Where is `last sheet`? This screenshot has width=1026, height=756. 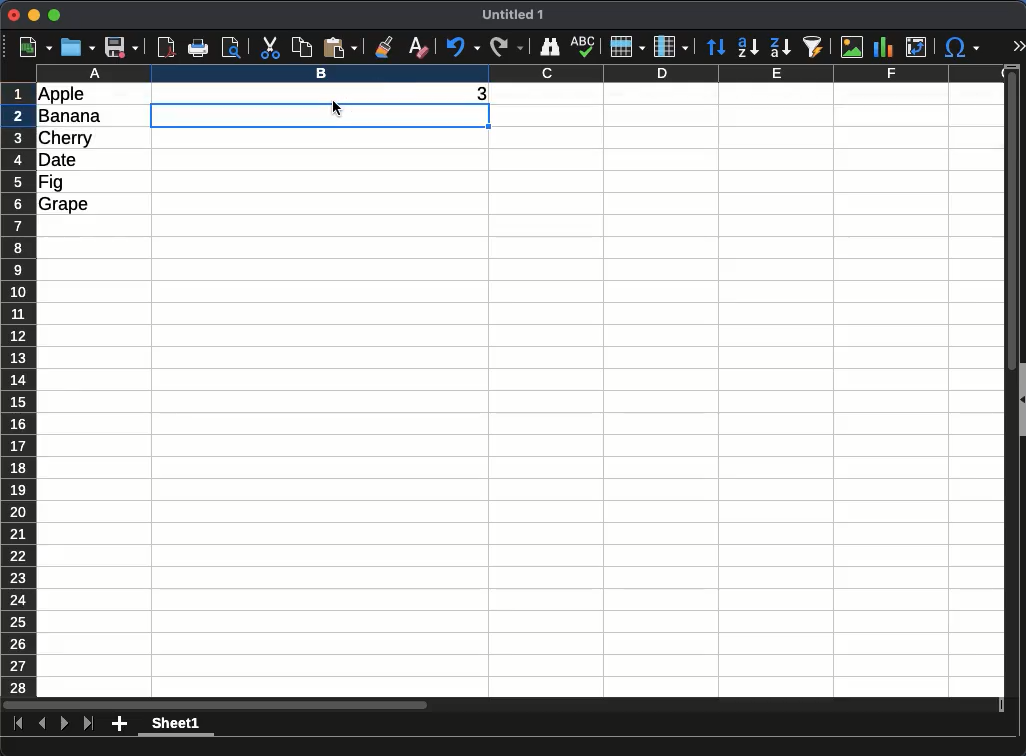
last sheet is located at coordinates (89, 724).